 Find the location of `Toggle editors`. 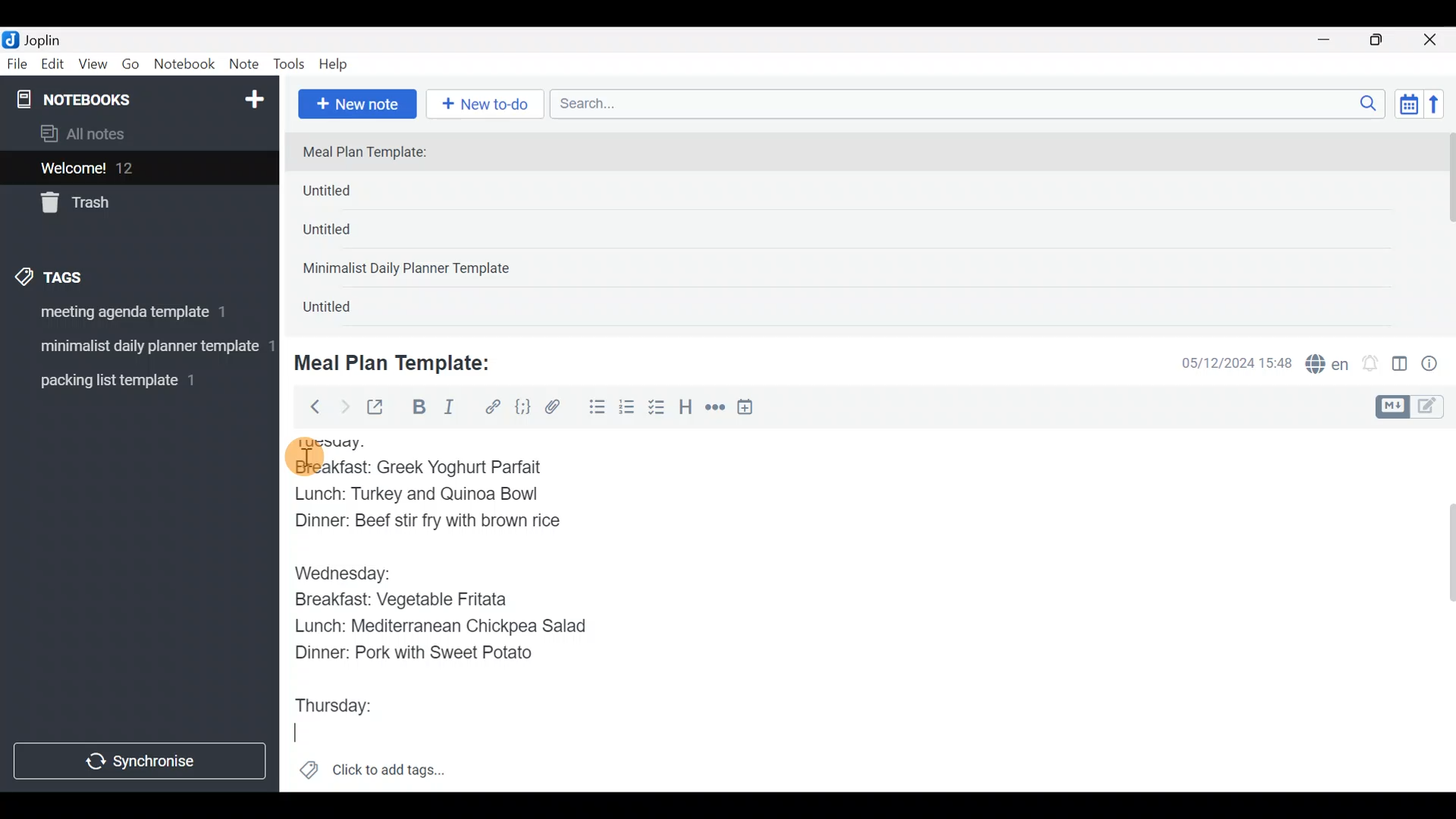

Toggle editors is located at coordinates (1414, 405).